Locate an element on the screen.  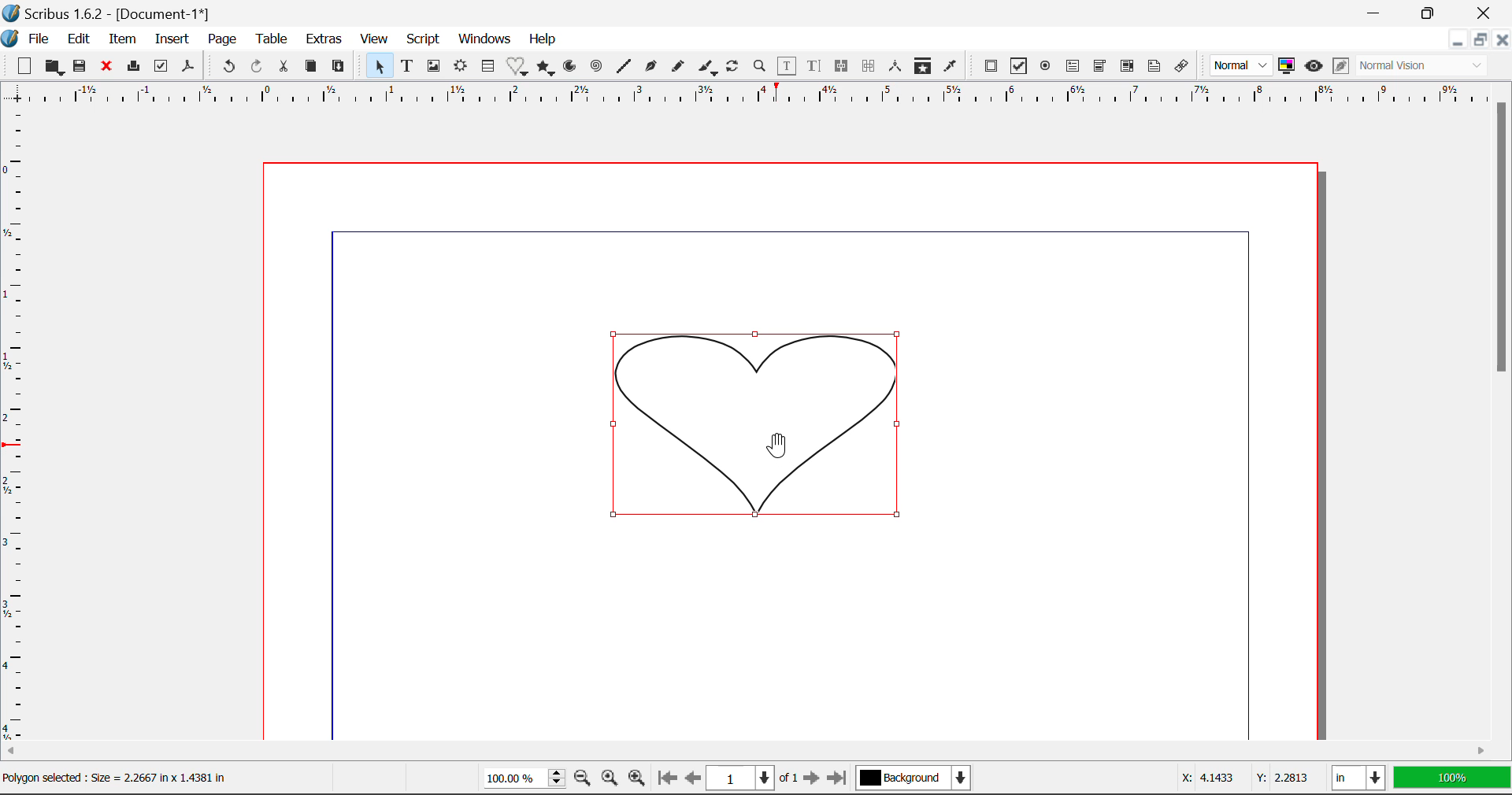
Vertical Page Margins is located at coordinates (743, 97).